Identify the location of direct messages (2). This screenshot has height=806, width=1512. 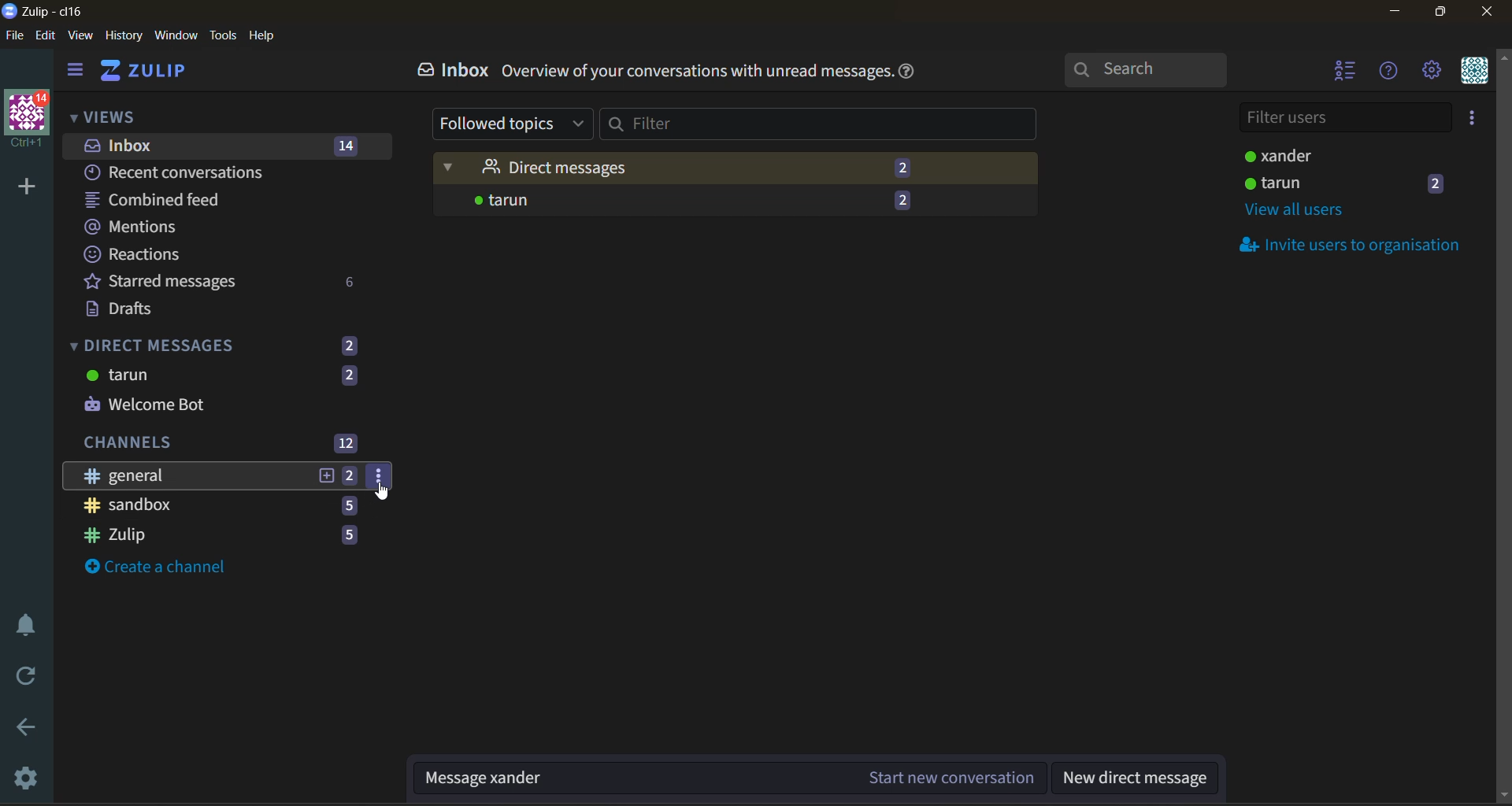
(736, 168).